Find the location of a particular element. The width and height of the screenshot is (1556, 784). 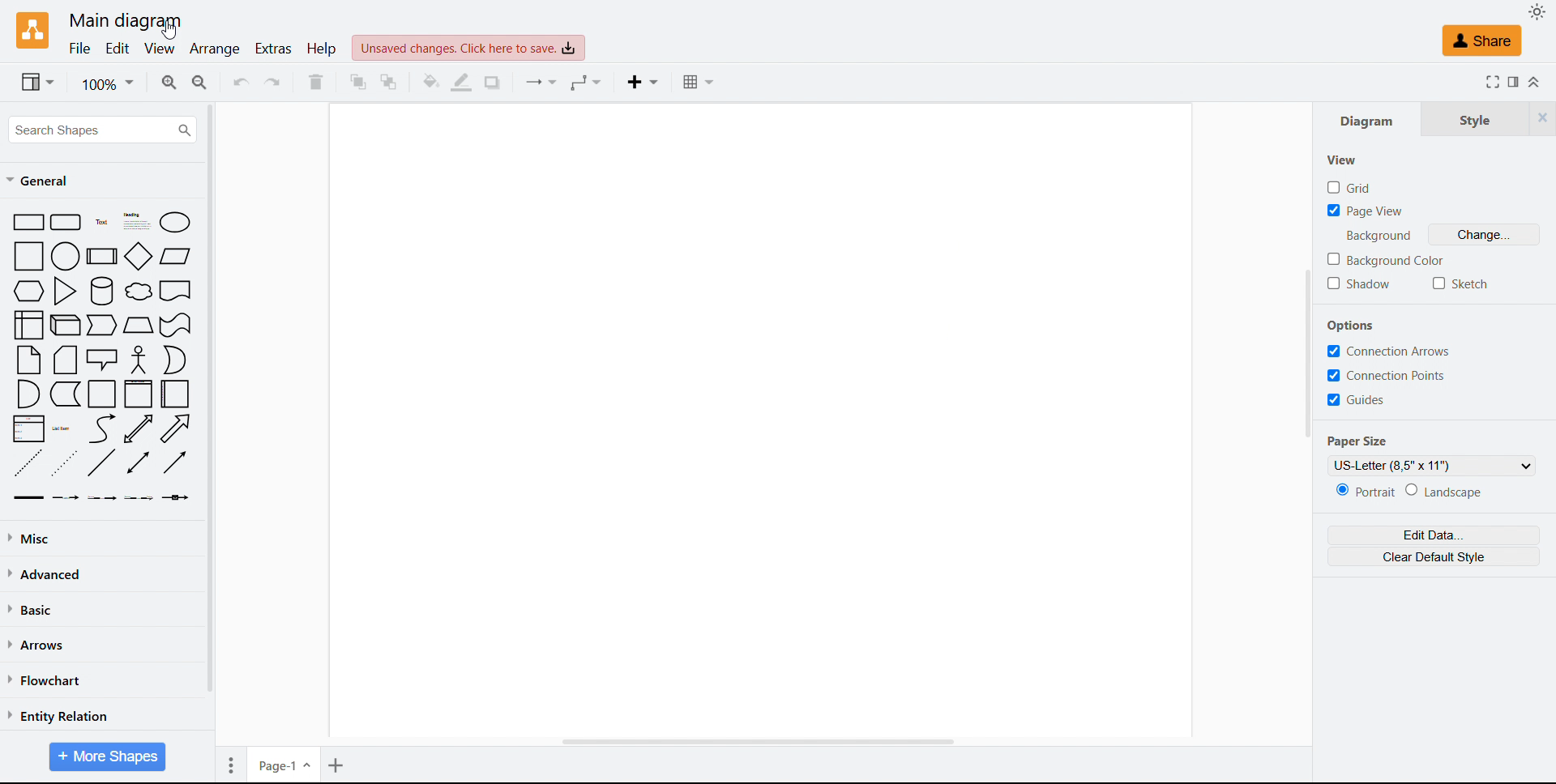

Fill colour  is located at coordinates (430, 82).